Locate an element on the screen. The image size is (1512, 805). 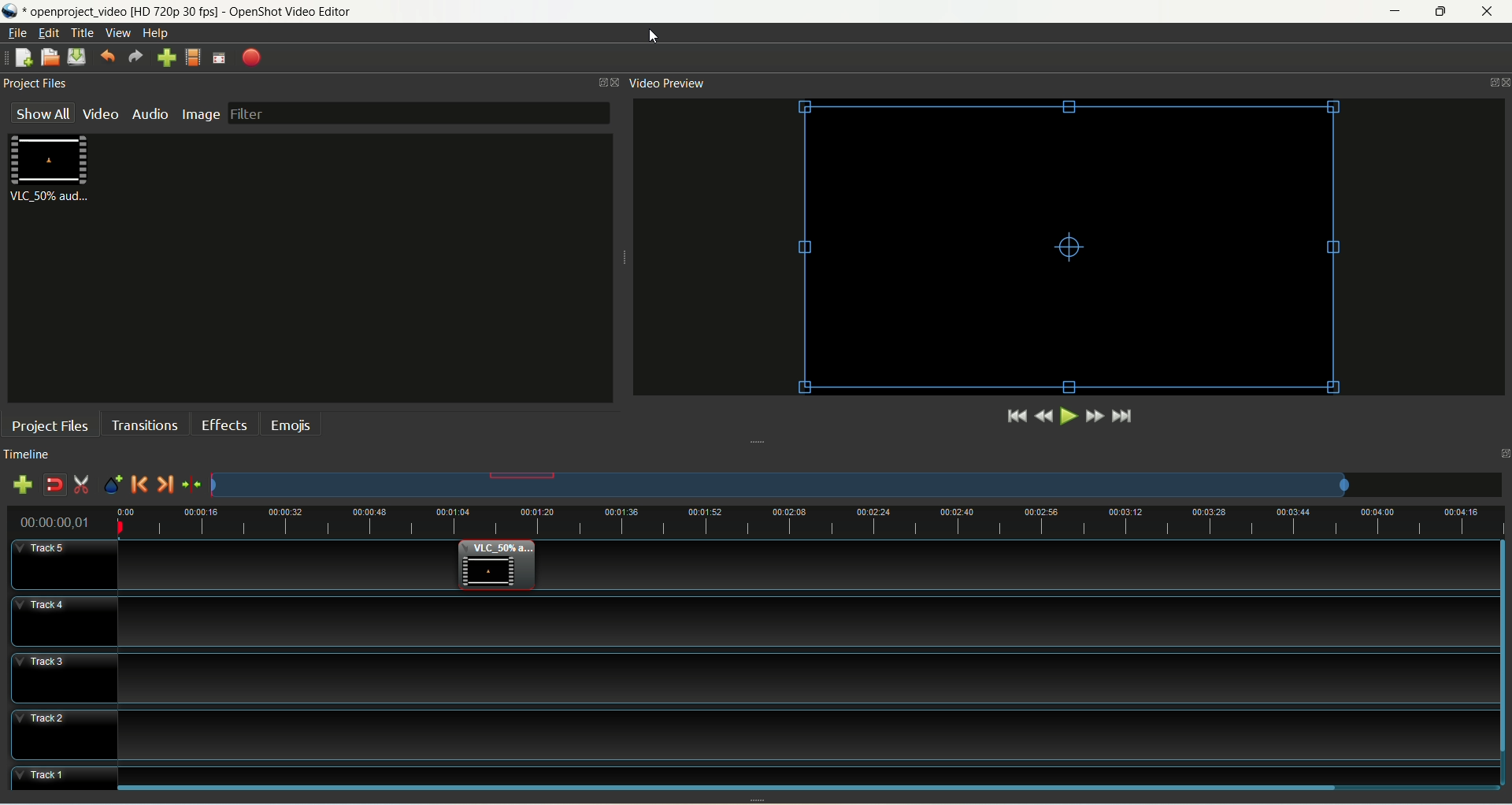
minimize is located at coordinates (1399, 11).